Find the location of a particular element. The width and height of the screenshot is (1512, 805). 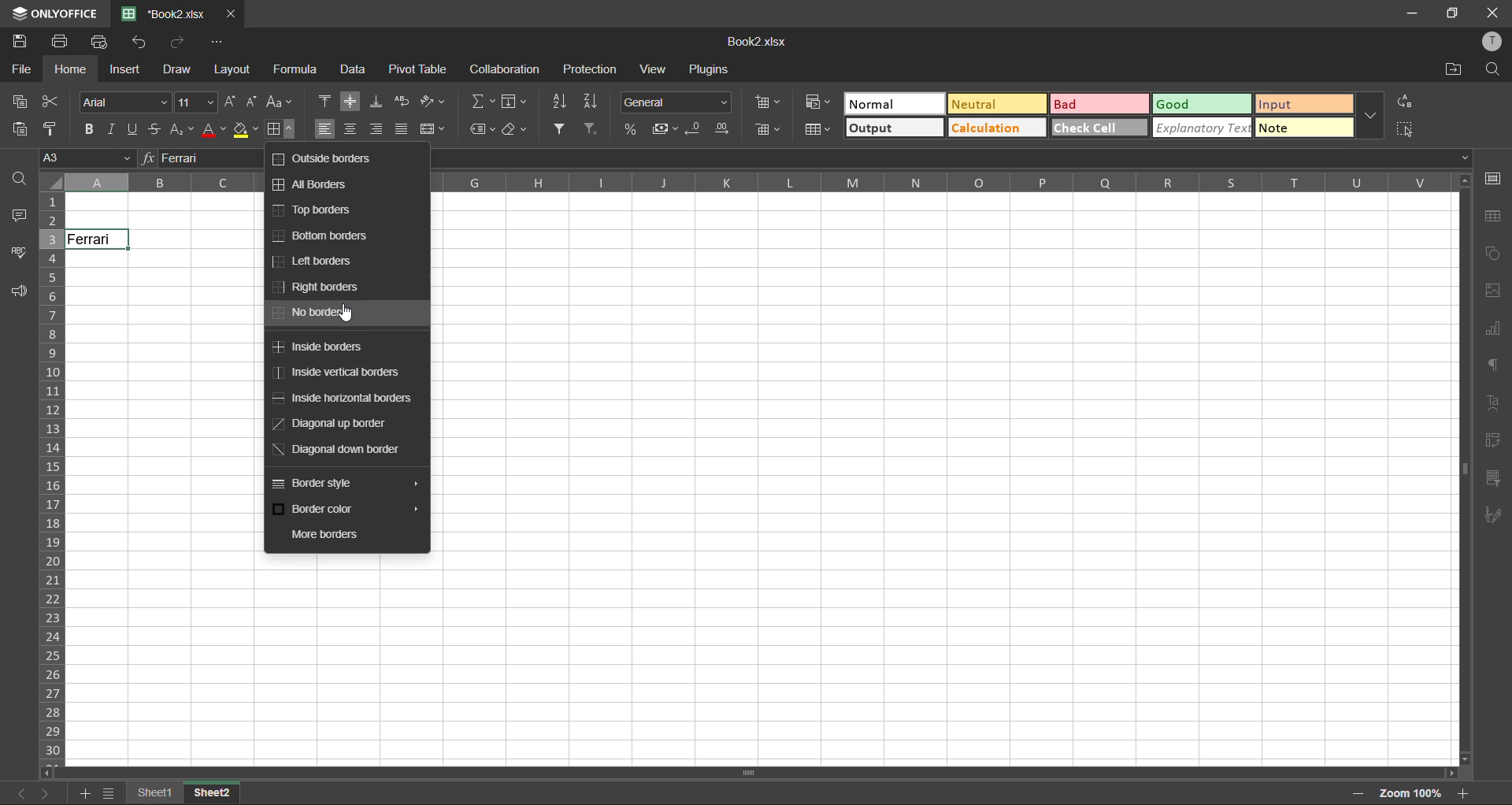

save is located at coordinates (20, 39).